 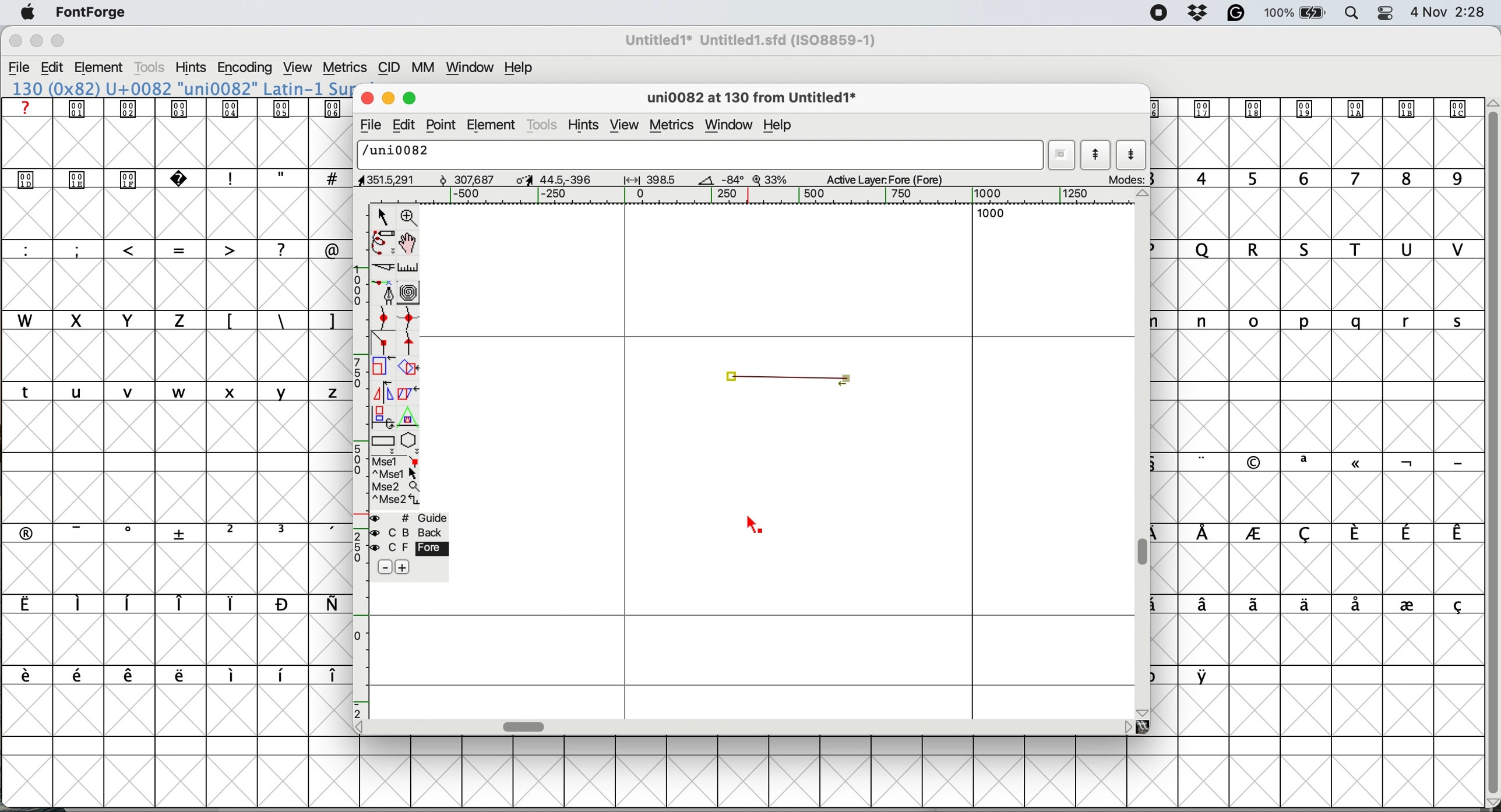 What do you see at coordinates (100, 69) in the screenshot?
I see `element` at bounding box center [100, 69].